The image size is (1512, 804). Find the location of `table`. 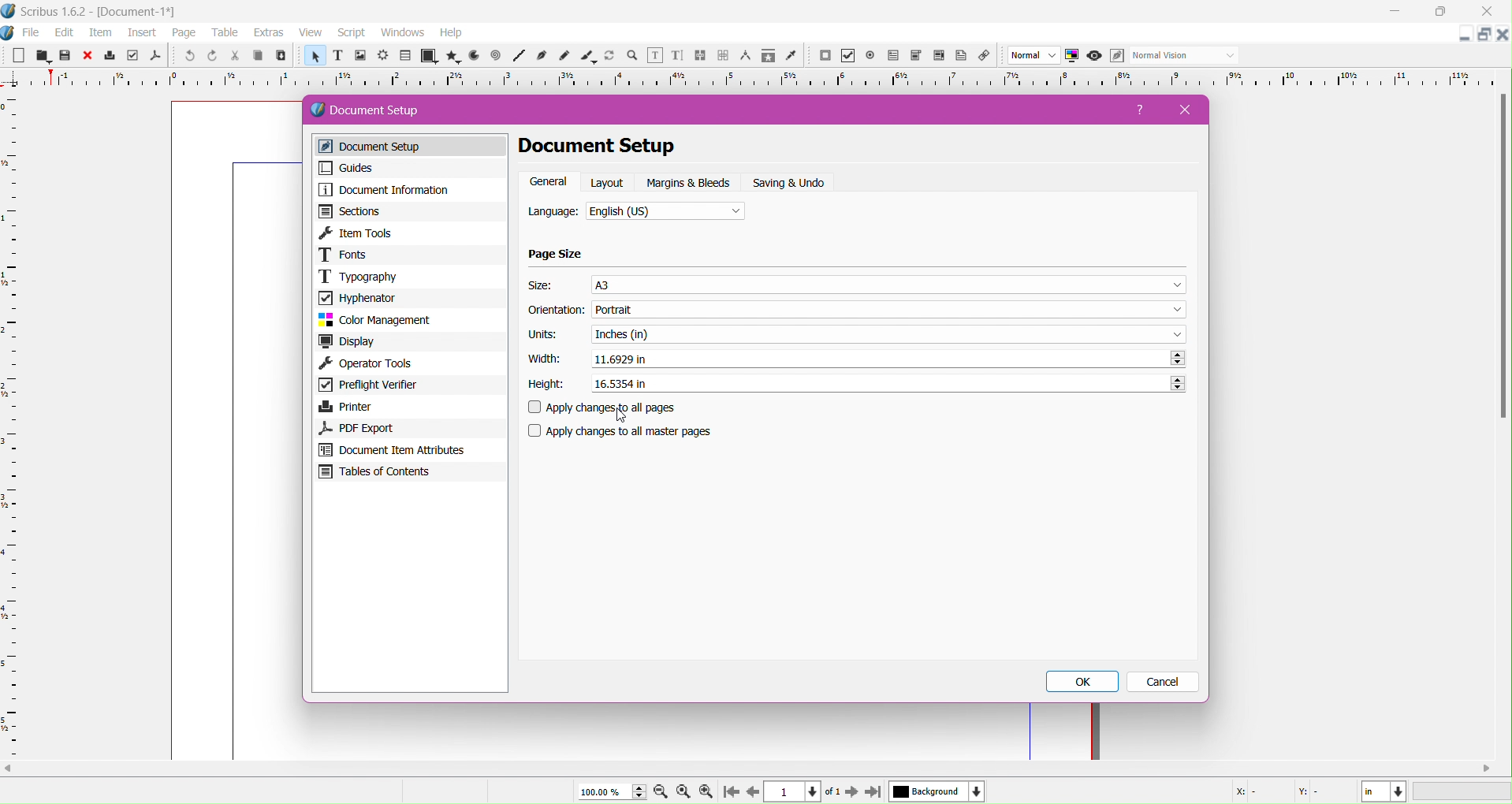

table is located at coordinates (405, 56).